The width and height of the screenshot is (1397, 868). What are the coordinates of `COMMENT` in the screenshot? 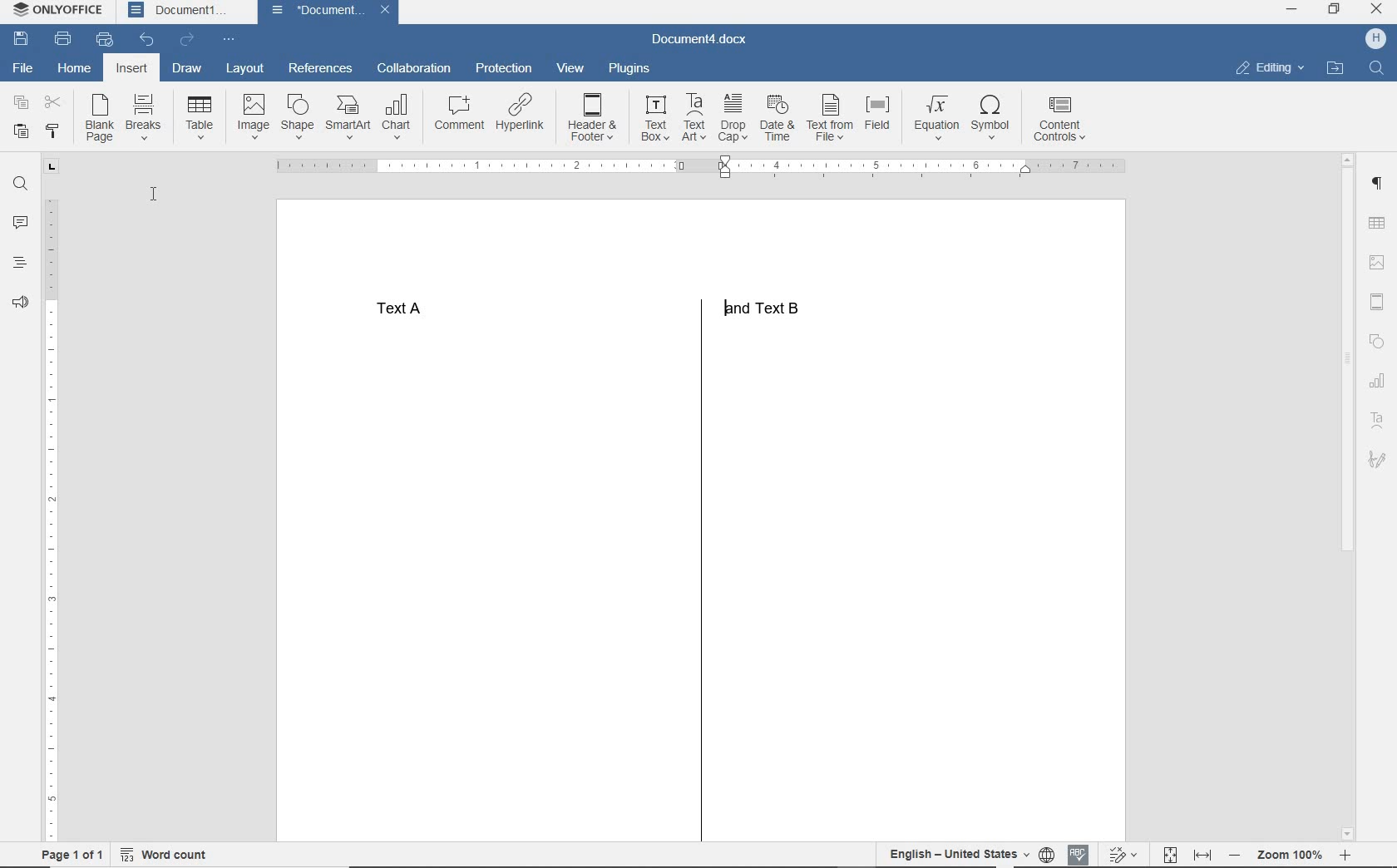 It's located at (456, 112).